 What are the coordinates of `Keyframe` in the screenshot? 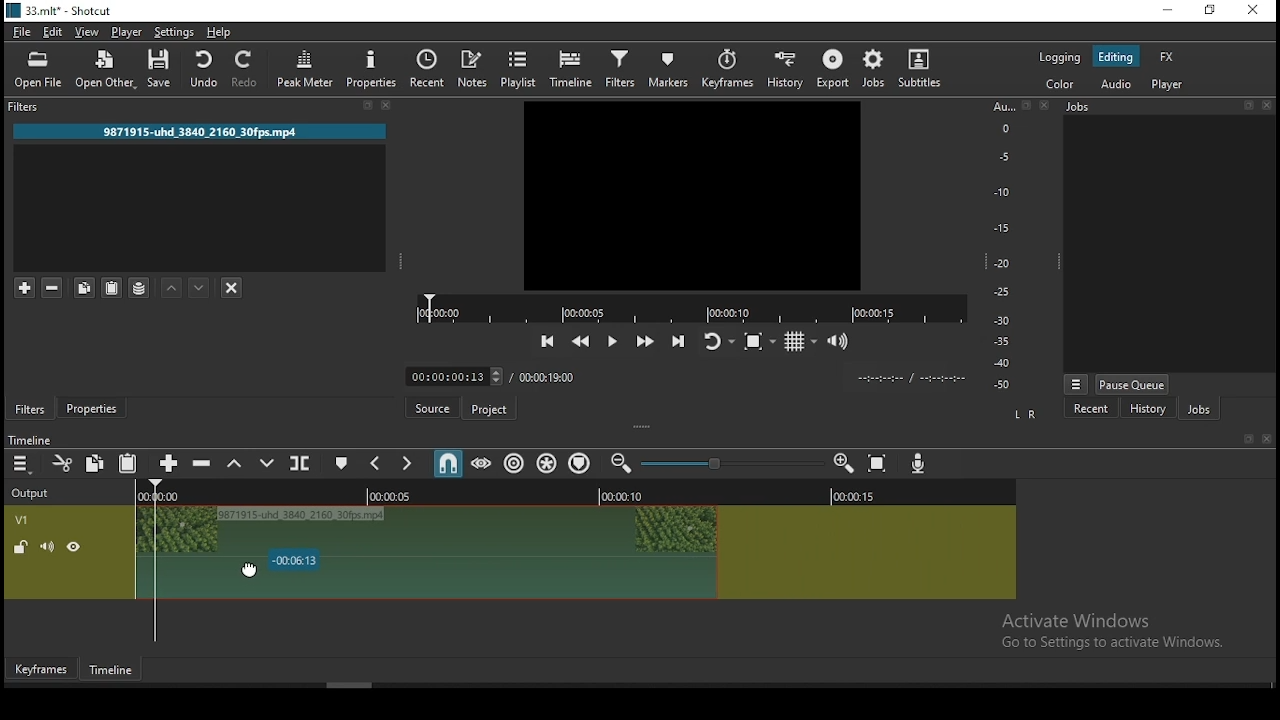 It's located at (43, 670).